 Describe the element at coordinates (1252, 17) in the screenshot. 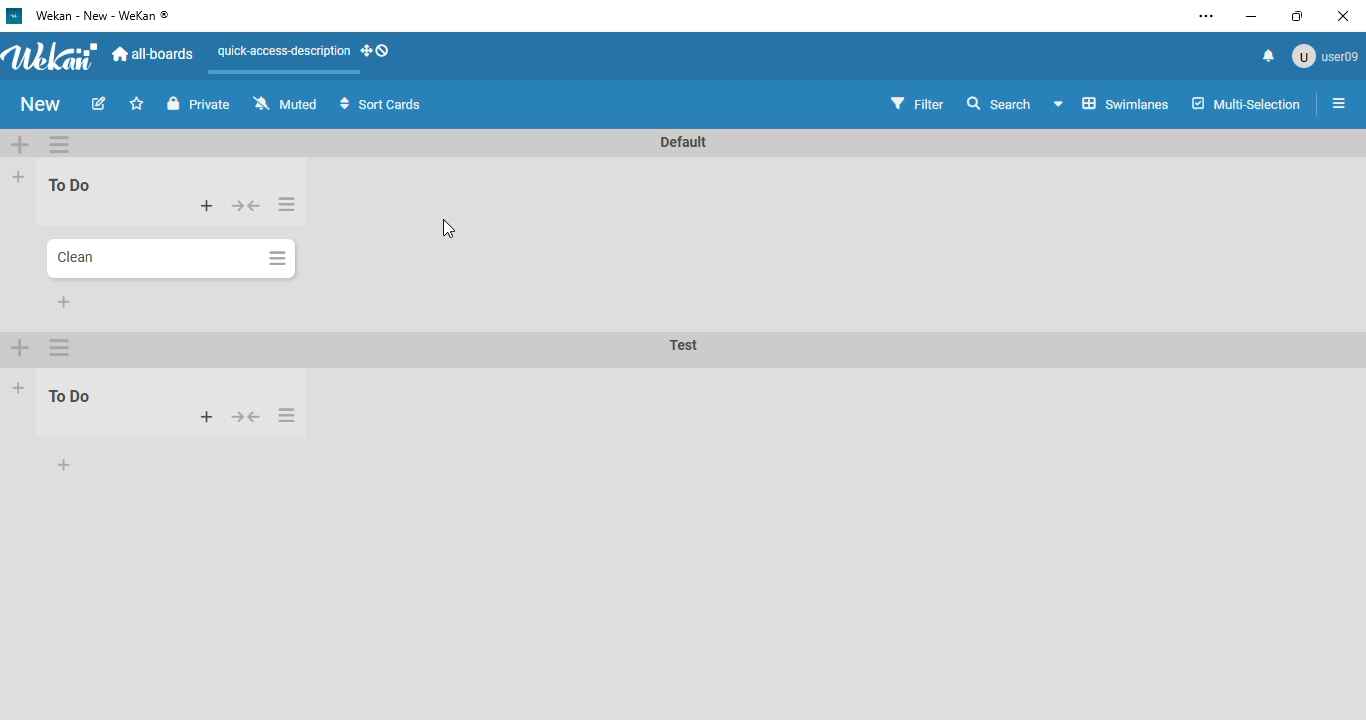

I see `minimize` at that location.